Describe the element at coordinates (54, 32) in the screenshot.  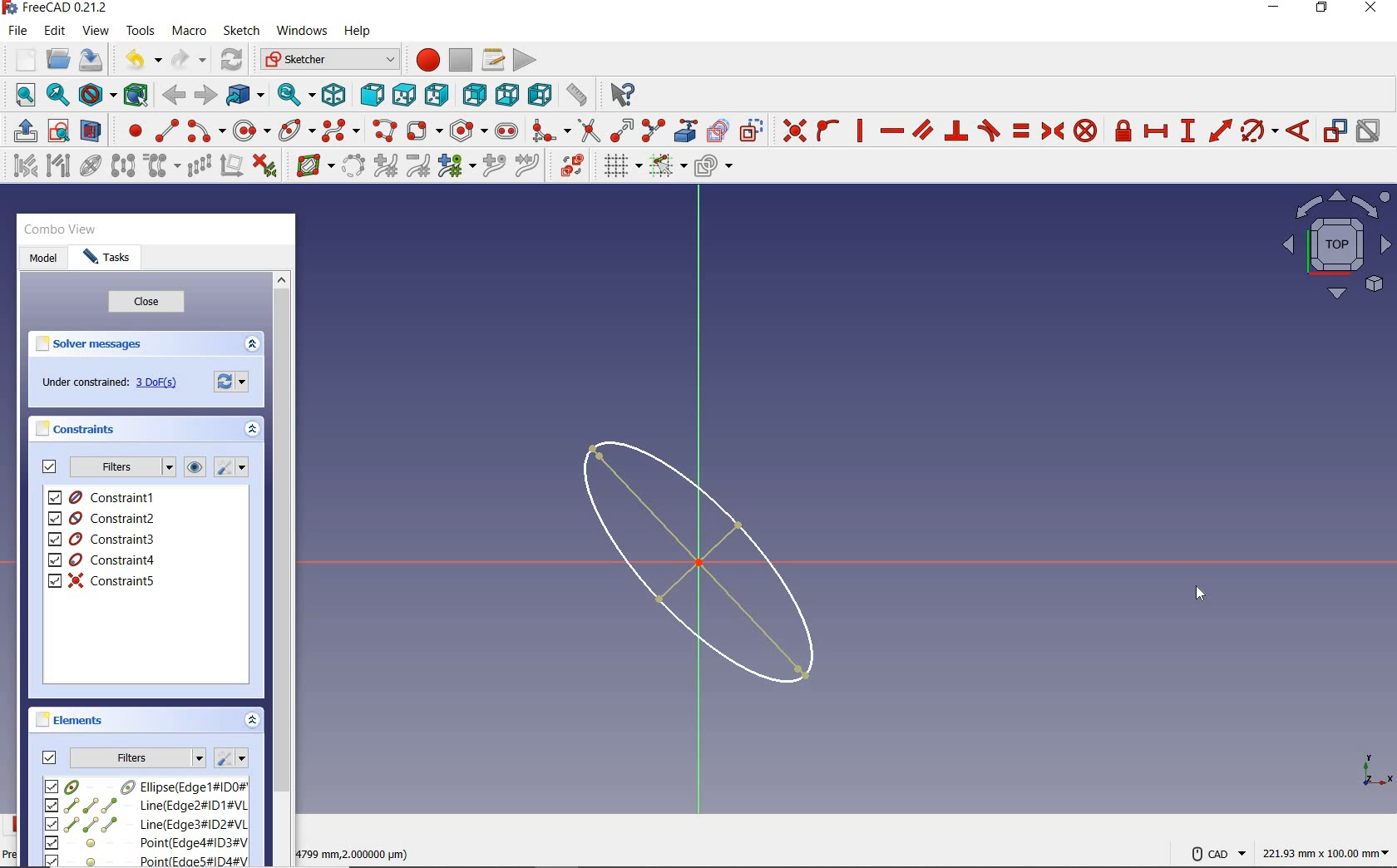
I see `edit` at that location.